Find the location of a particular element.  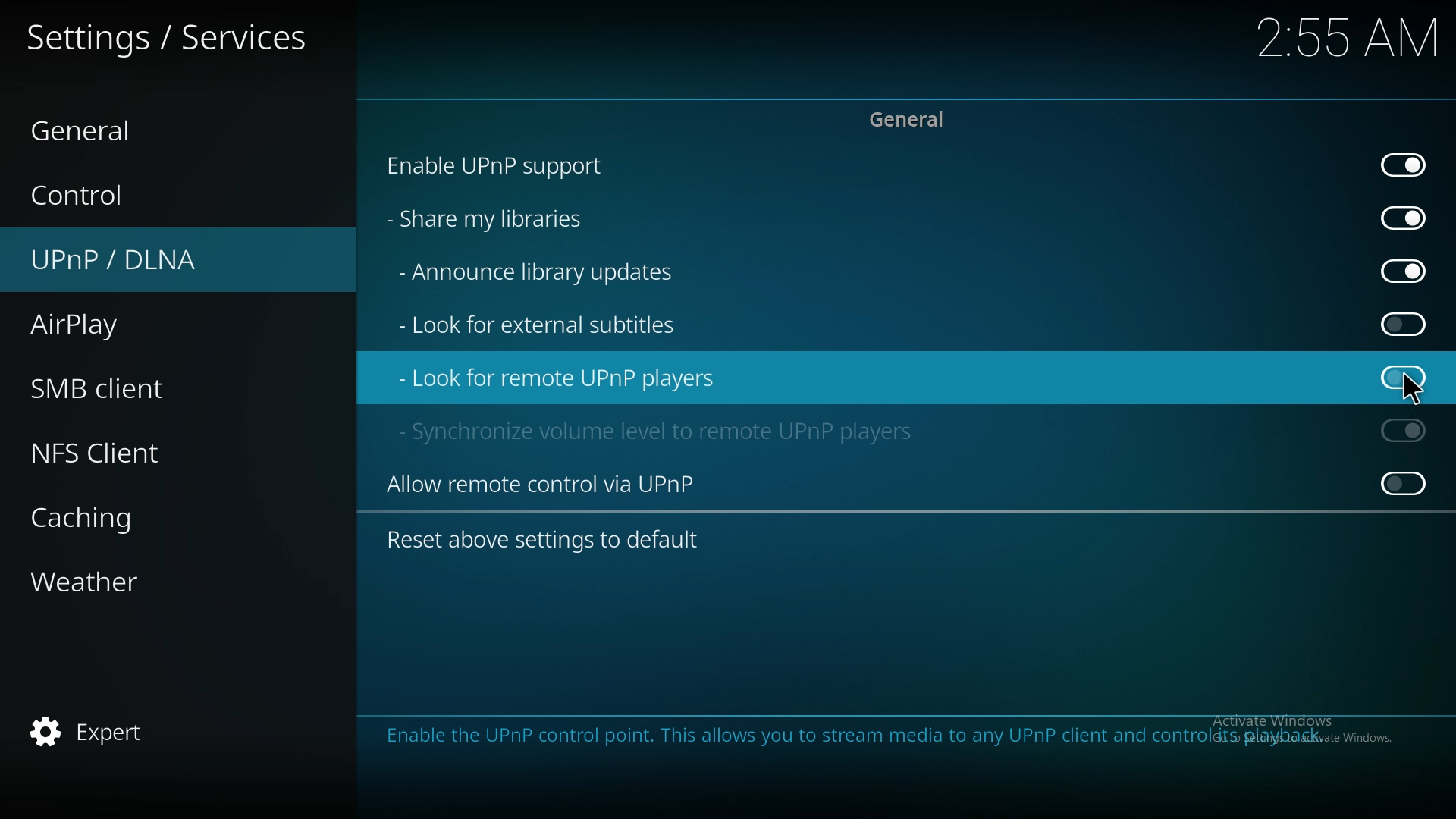

control is located at coordinates (116, 196).